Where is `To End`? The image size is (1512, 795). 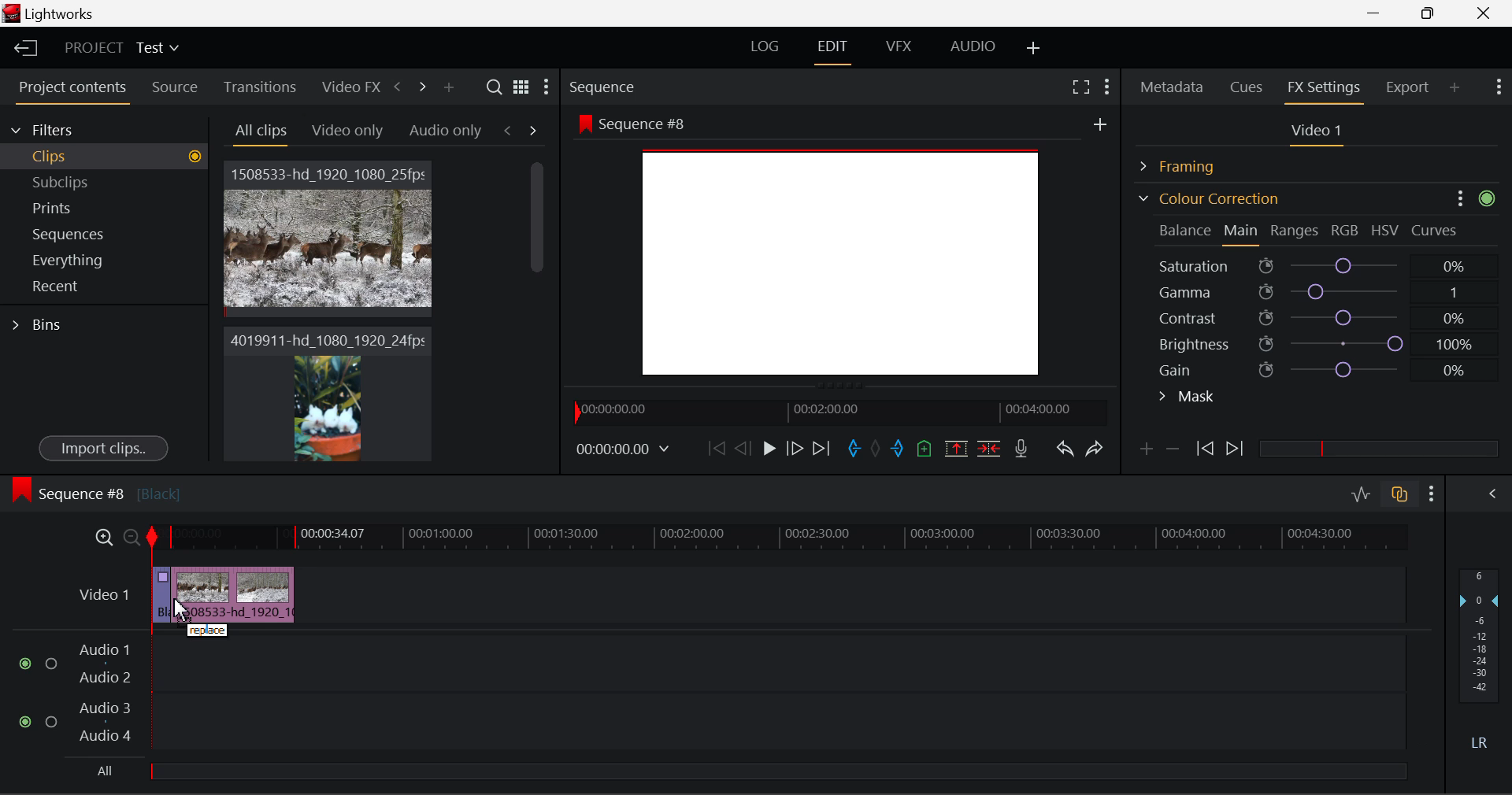
To End is located at coordinates (821, 449).